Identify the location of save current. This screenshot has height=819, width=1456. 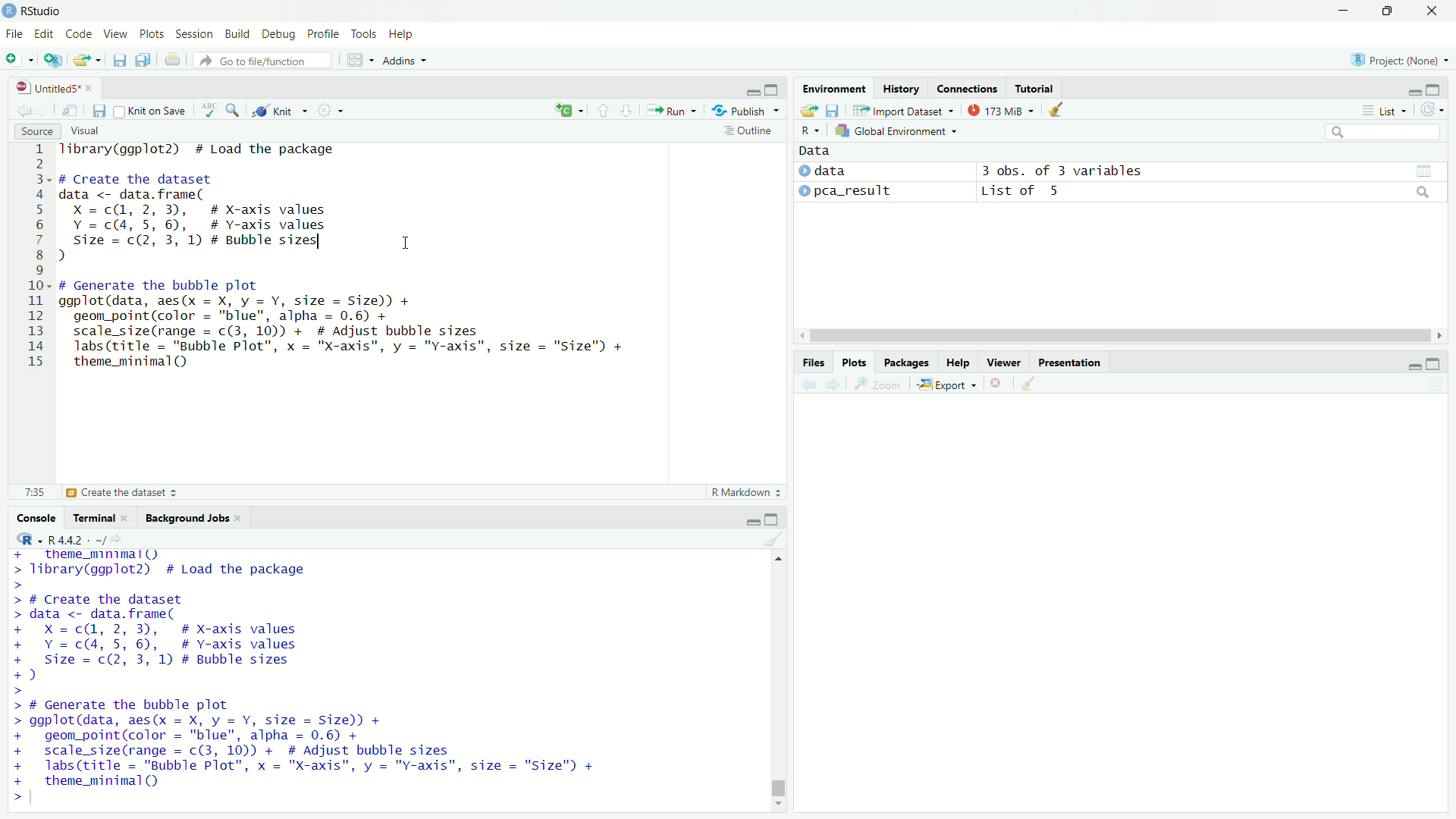
(121, 59).